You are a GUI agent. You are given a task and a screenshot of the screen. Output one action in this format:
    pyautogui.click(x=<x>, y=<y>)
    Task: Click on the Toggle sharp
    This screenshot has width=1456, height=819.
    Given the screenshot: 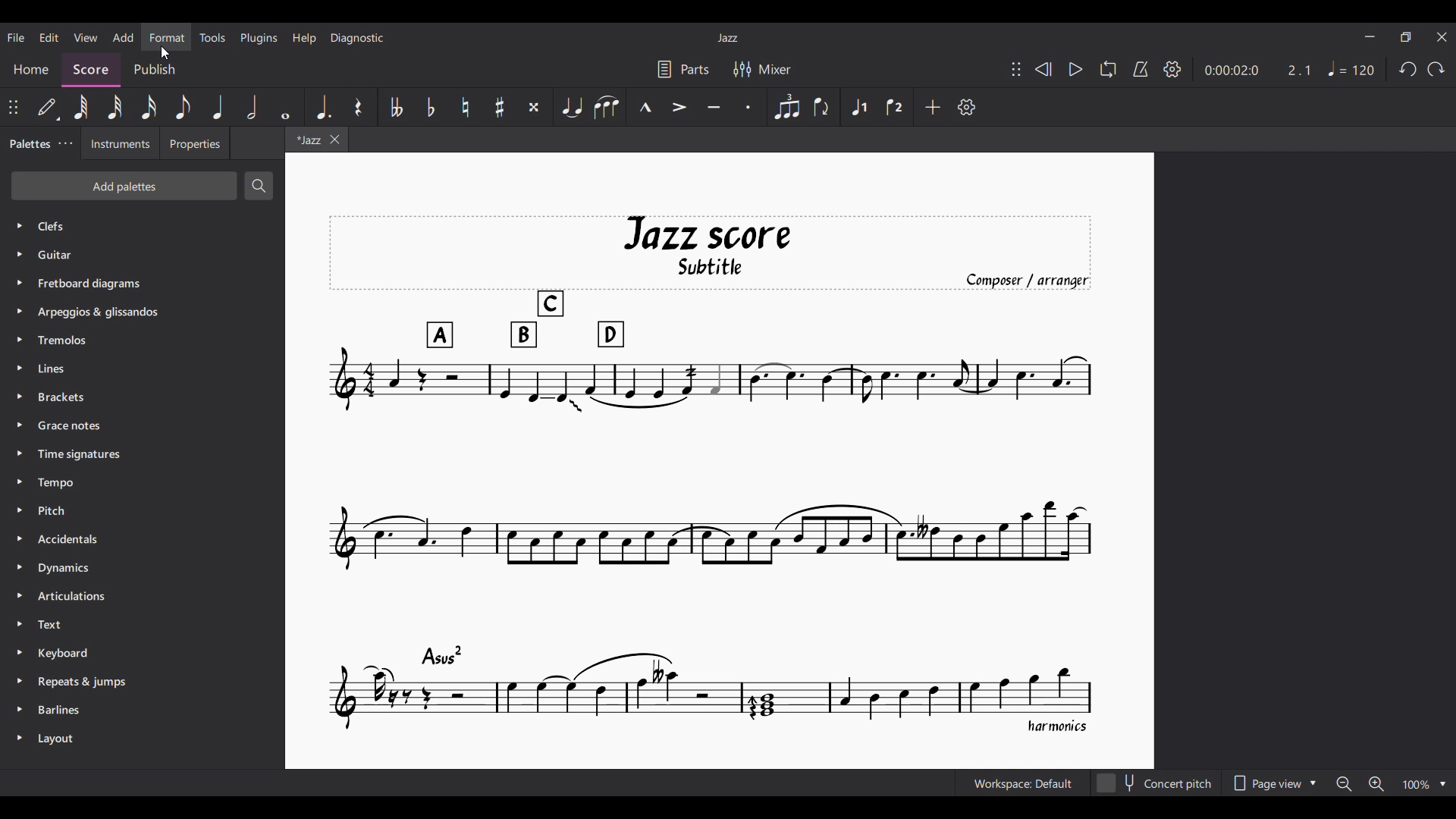 What is the action you would take?
    pyautogui.click(x=500, y=107)
    